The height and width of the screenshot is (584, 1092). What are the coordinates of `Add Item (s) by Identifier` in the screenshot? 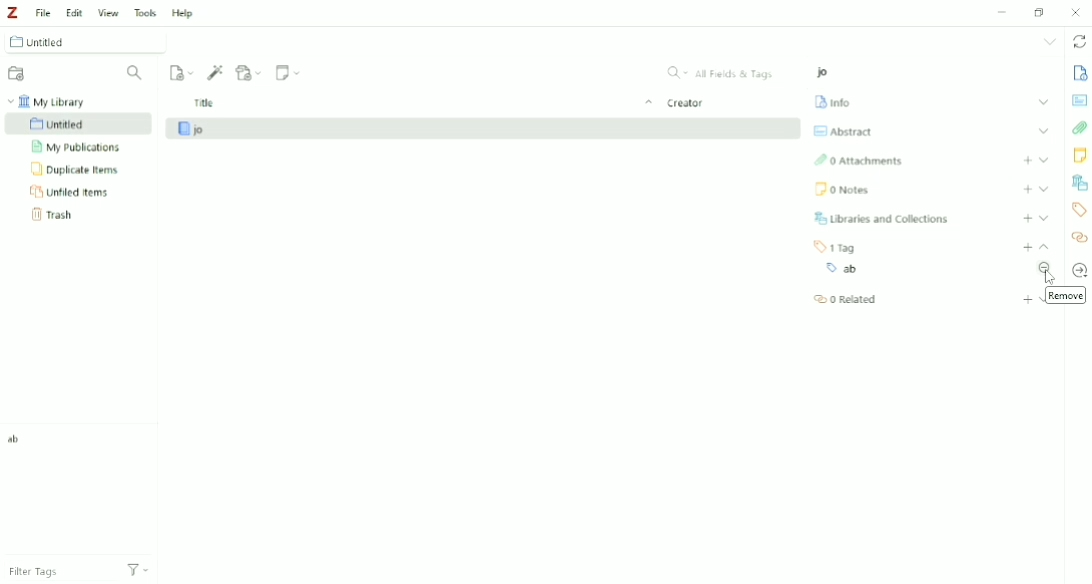 It's located at (216, 72).